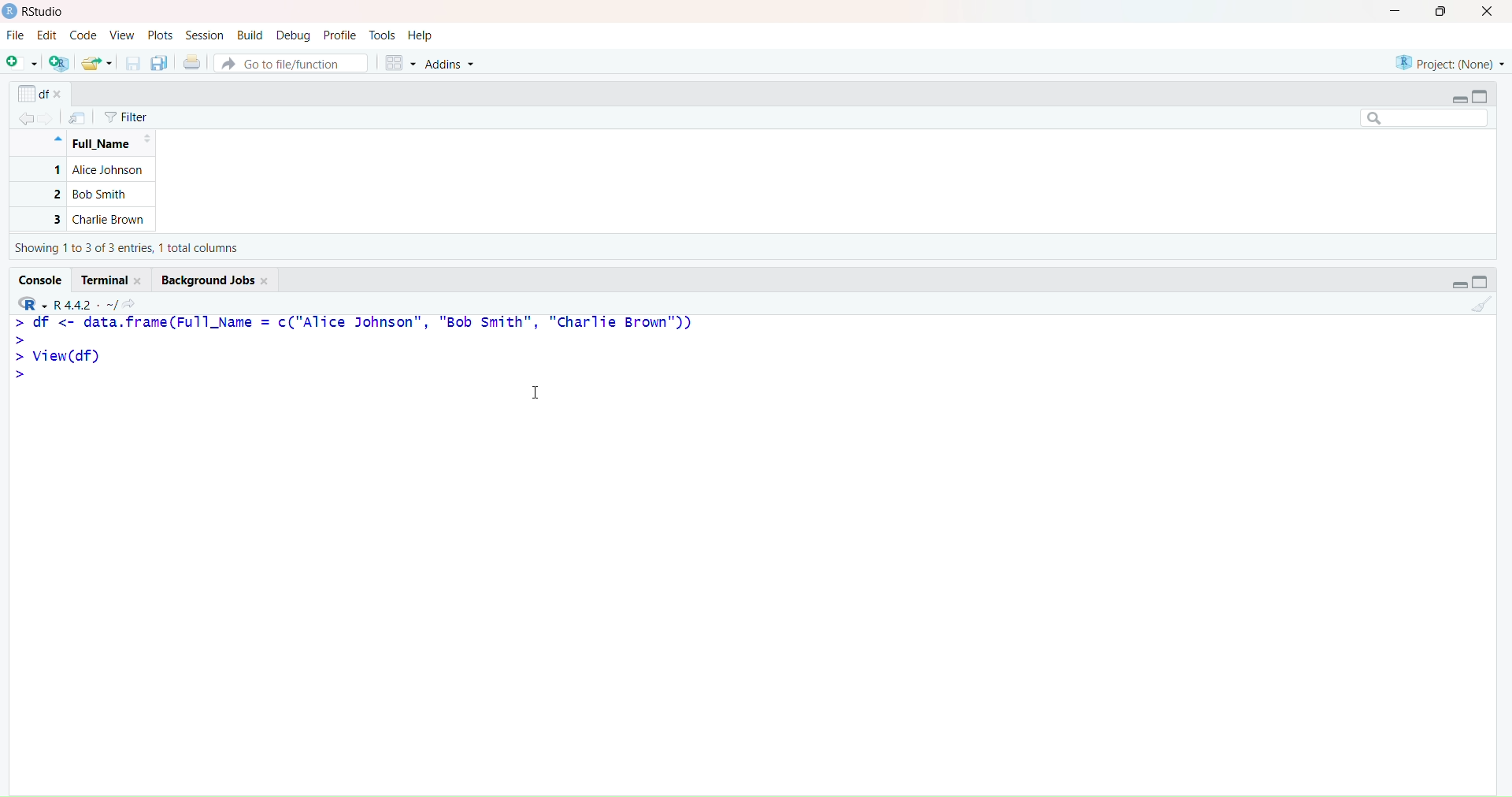 Image resolution: width=1512 pixels, height=797 pixels. What do you see at coordinates (43, 279) in the screenshot?
I see `Console` at bounding box center [43, 279].